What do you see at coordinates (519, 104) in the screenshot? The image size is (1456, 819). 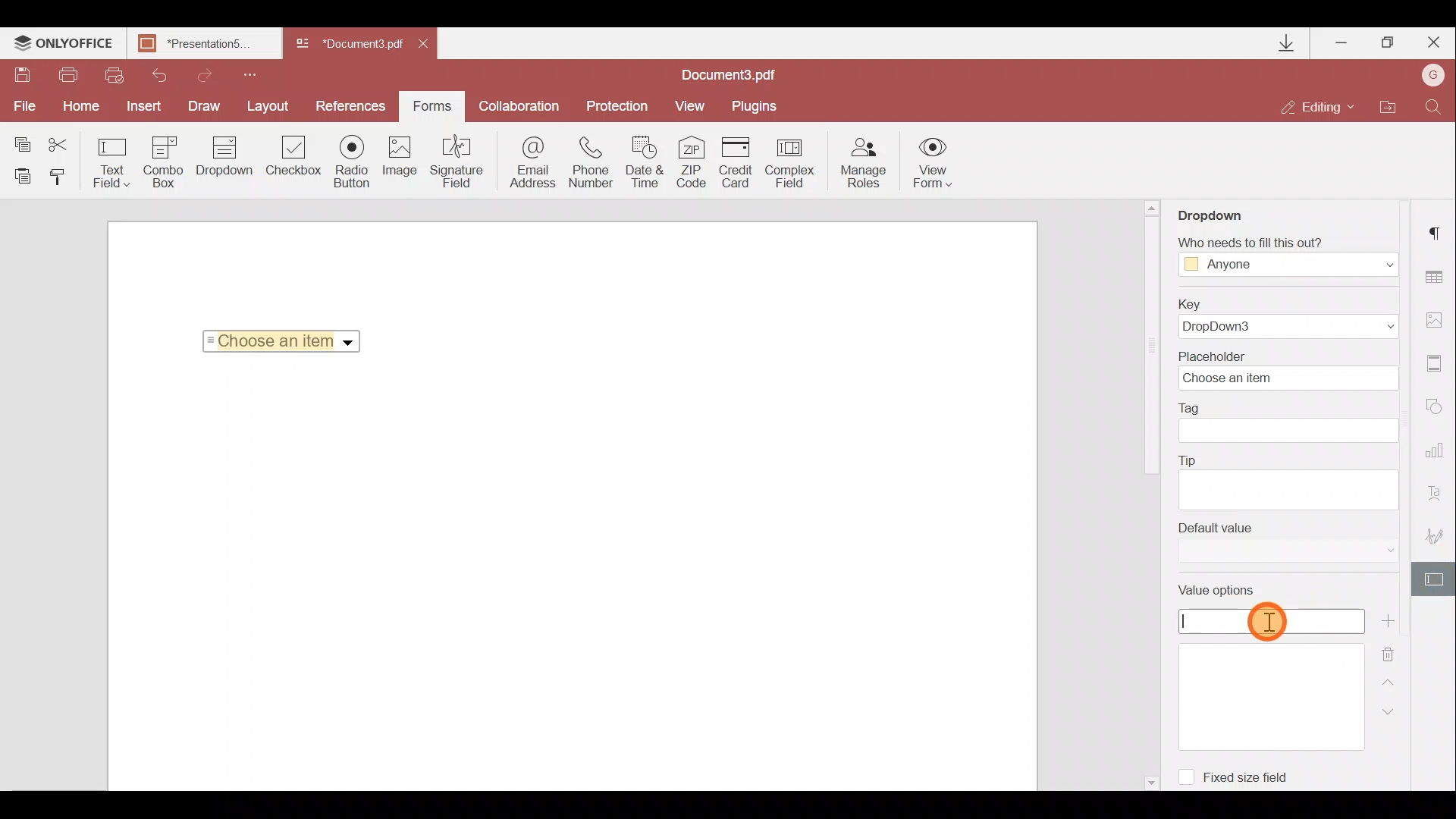 I see `Collaboration` at bounding box center [519, 104].